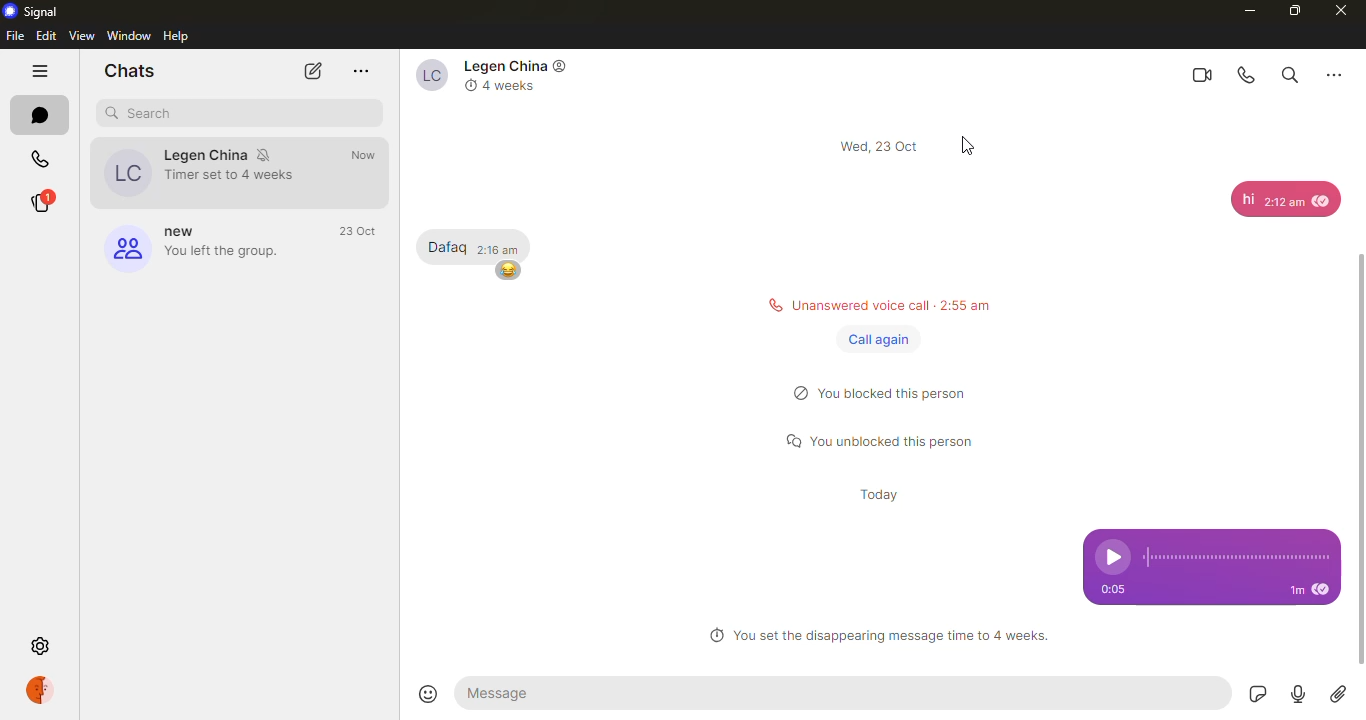  I want to click on contact, so click(507, 79).